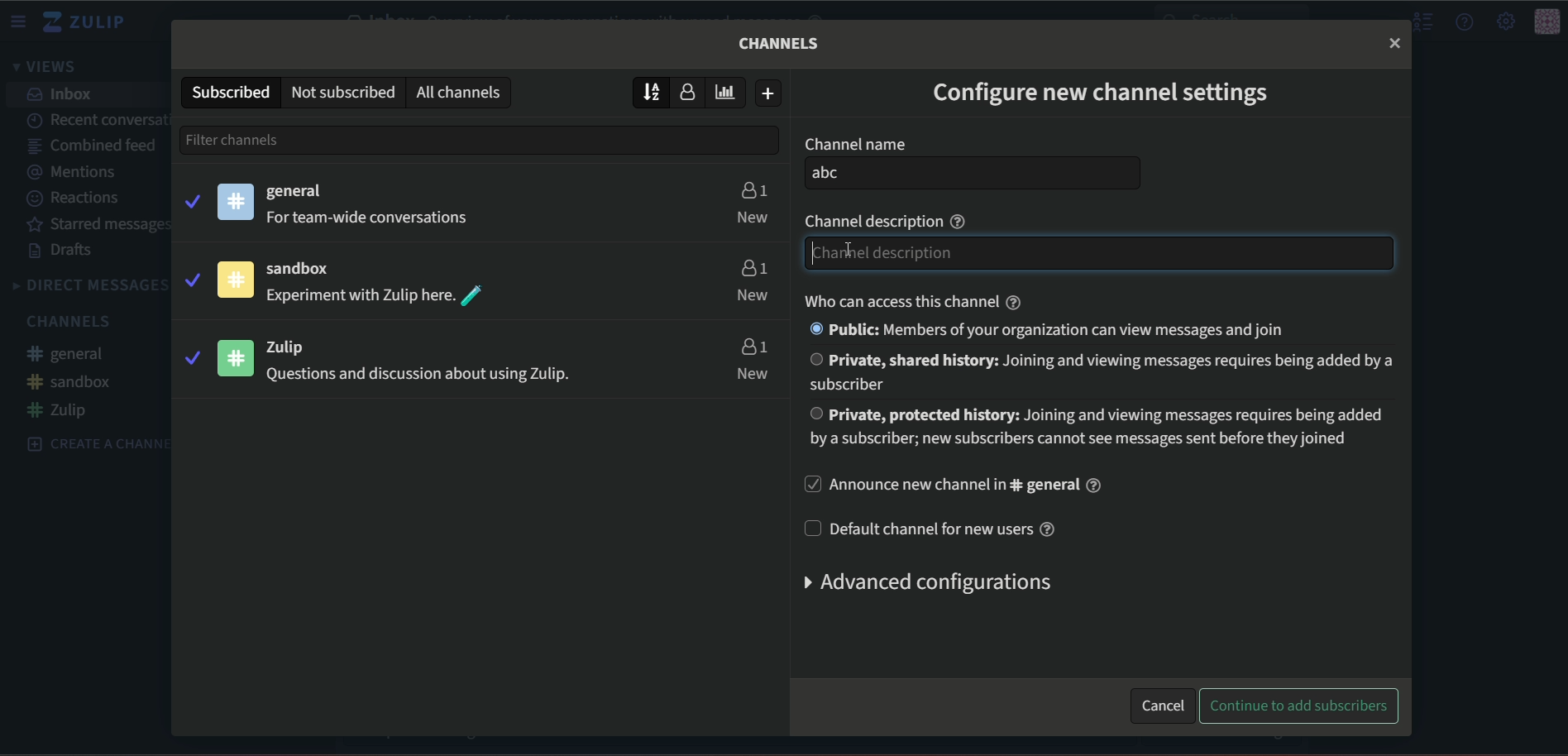 This screenshot has width=1568, height=756. I want to click on Private, protected history: Joining and viewing messages requires being addedby a subscriber; new subscribers cannot see messages sent before they joined, so click(1100, 428).